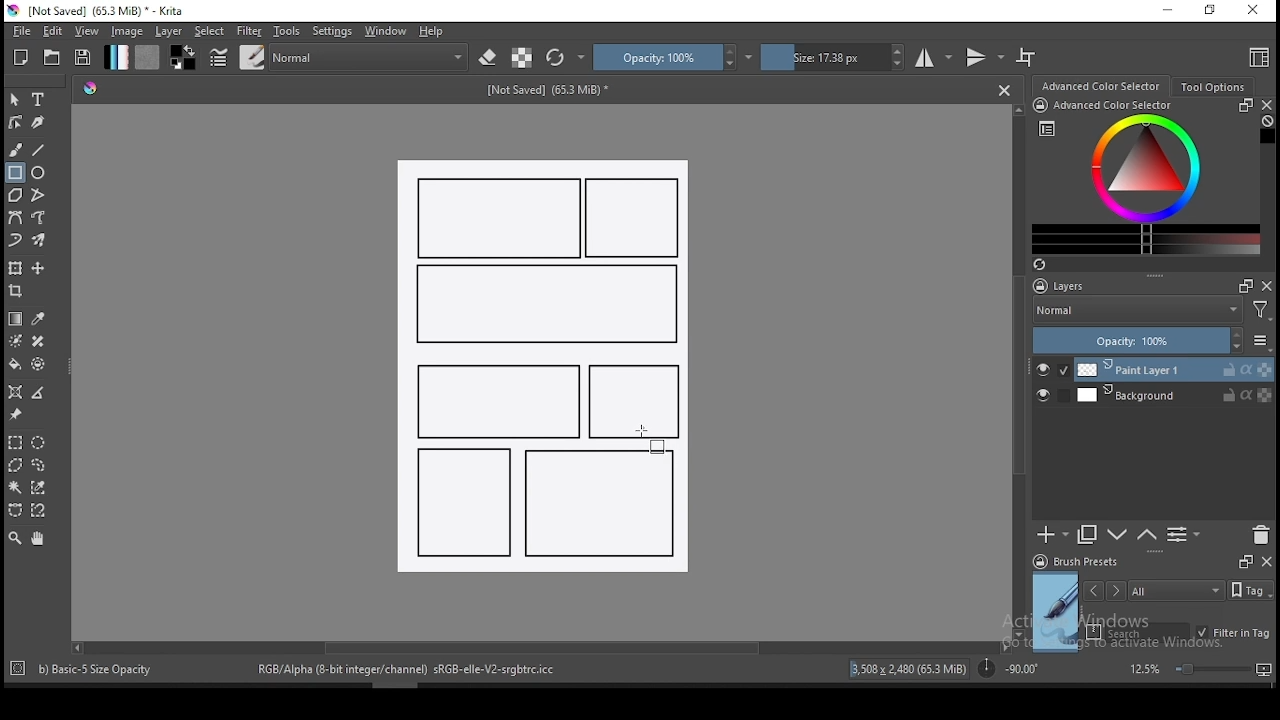 The height and width of the screenshot is (720, 1280). What do you see at coordinates (17, 149) in the screenshot?
I see `brush tool` at bounding box center [17, 149].